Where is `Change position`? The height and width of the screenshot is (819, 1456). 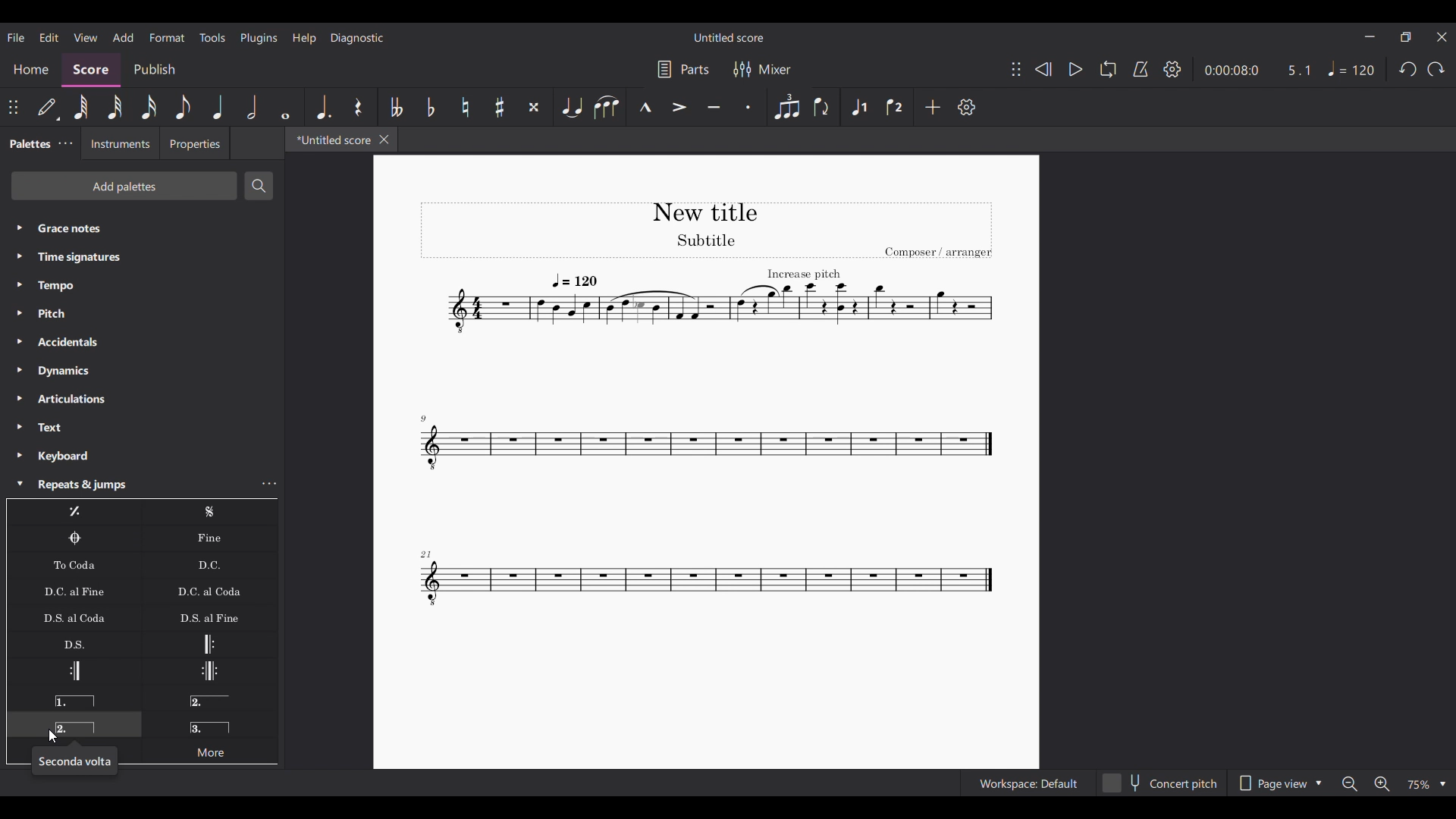
Change position is located at coordinates (1016, 69).